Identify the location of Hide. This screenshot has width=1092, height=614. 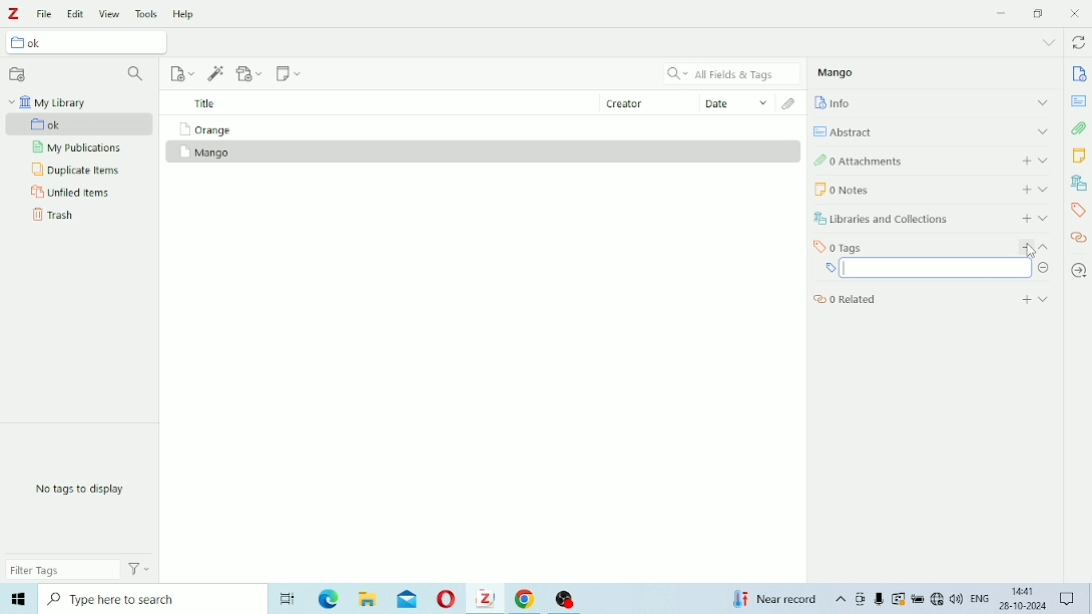
(1044, 271).